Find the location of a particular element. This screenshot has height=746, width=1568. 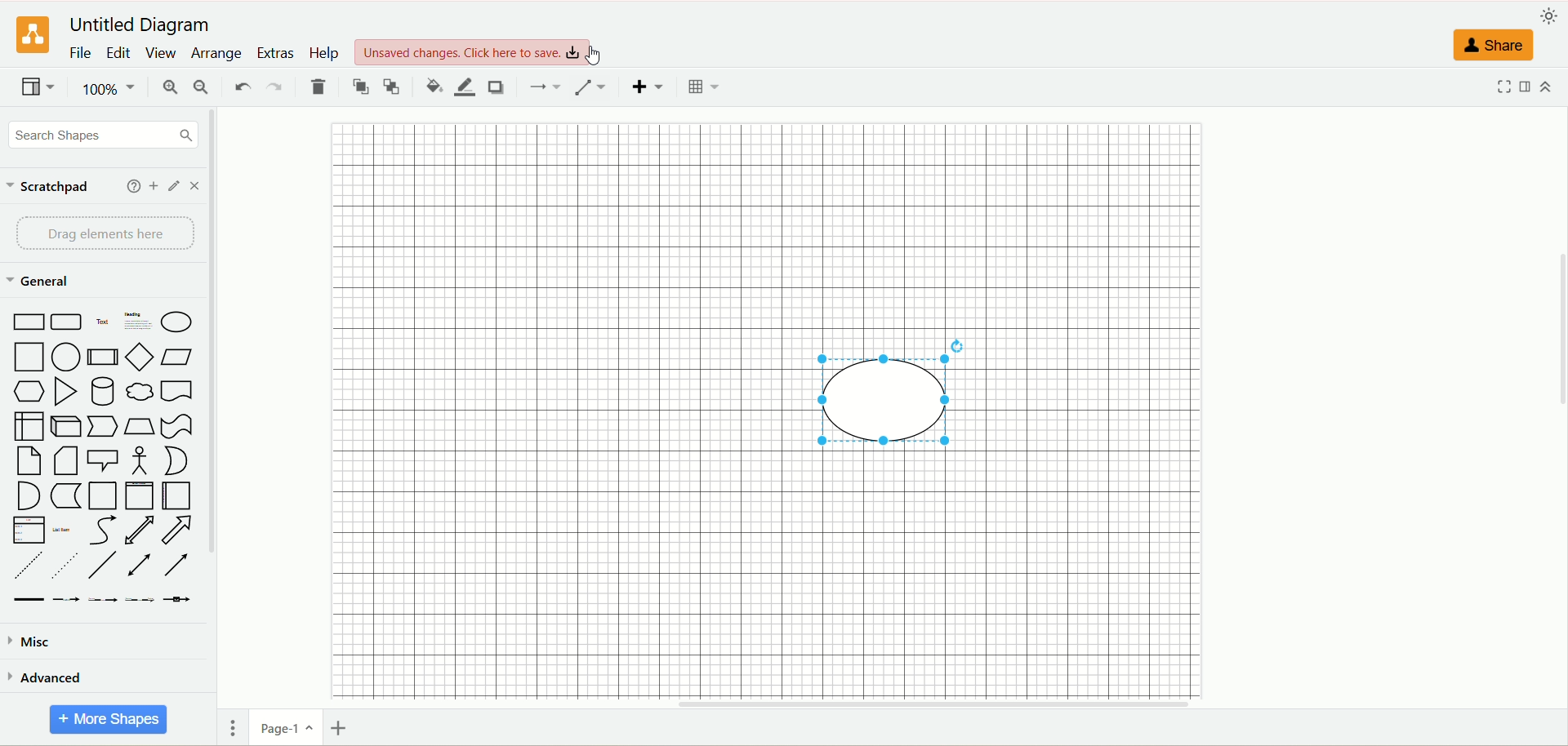

page-1 is located at coordinates (286, 729).